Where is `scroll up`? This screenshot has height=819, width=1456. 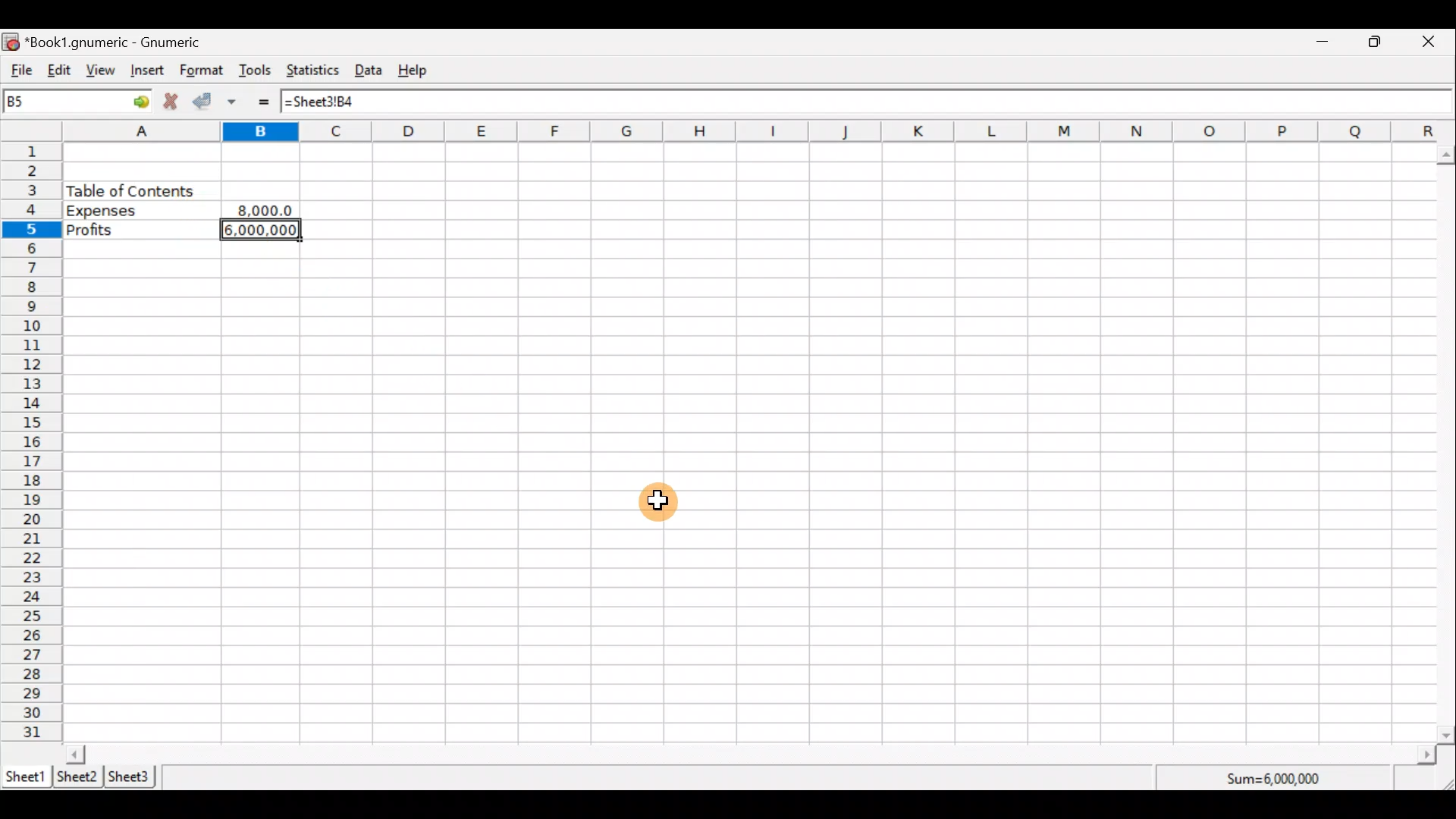 scroll up is located at coordinates (1447, 155).